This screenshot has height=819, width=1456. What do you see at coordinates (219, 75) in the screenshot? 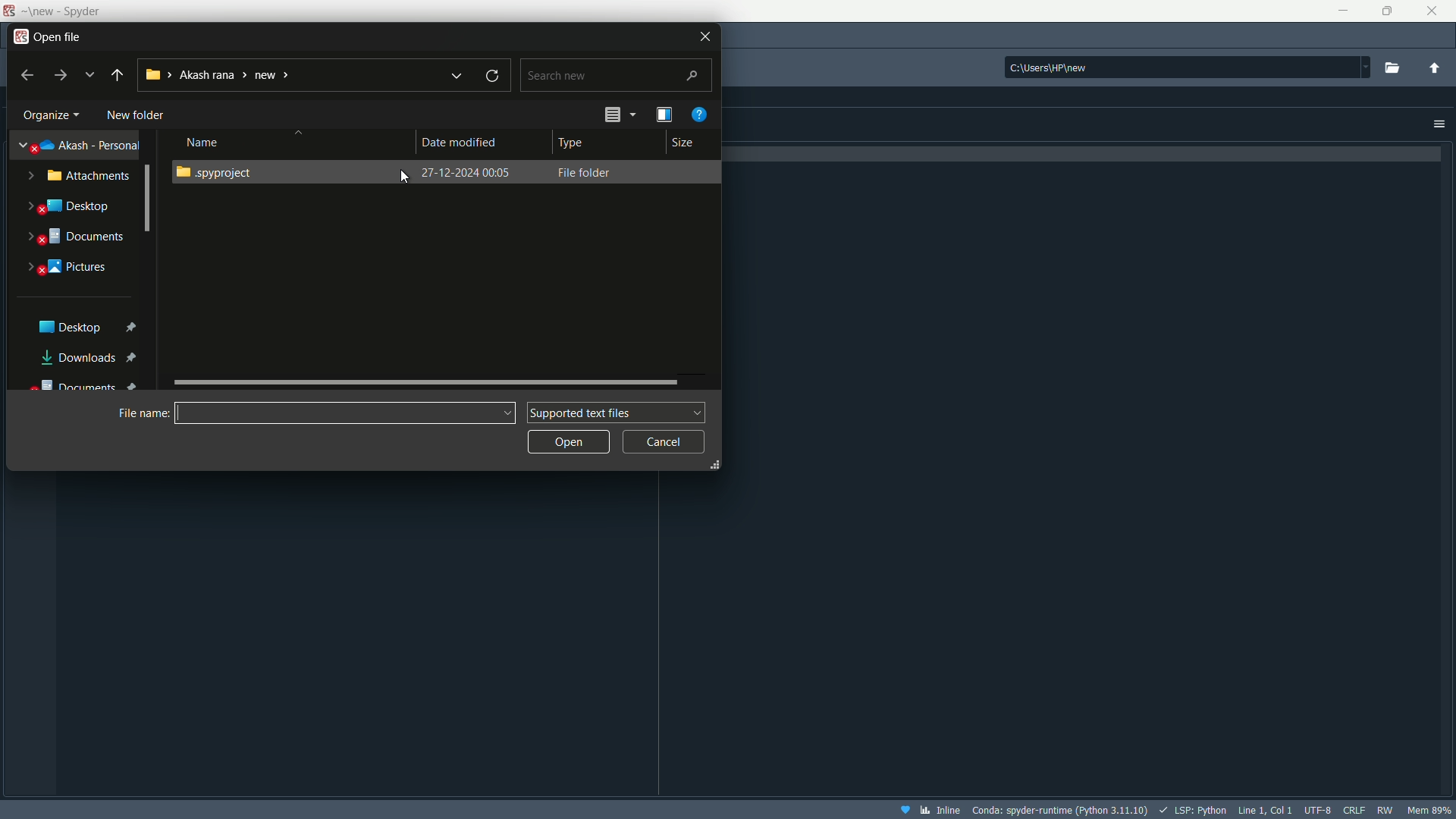
I see `current directory` at bounding box center [219, 75].